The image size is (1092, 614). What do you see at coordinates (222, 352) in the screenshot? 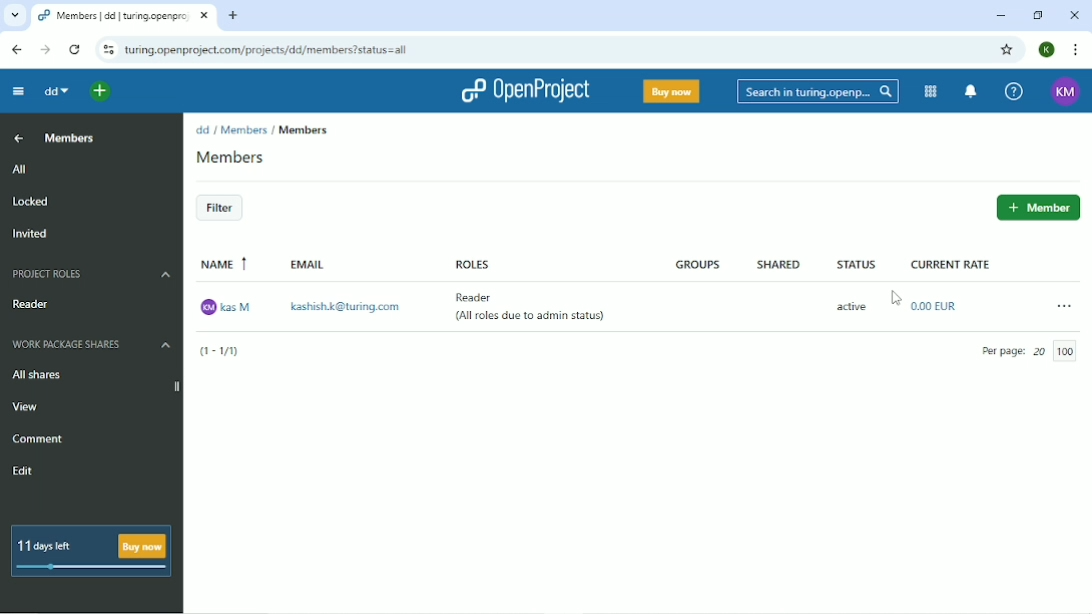
I see `(1-1/1)` at bounding box center [222, 352].